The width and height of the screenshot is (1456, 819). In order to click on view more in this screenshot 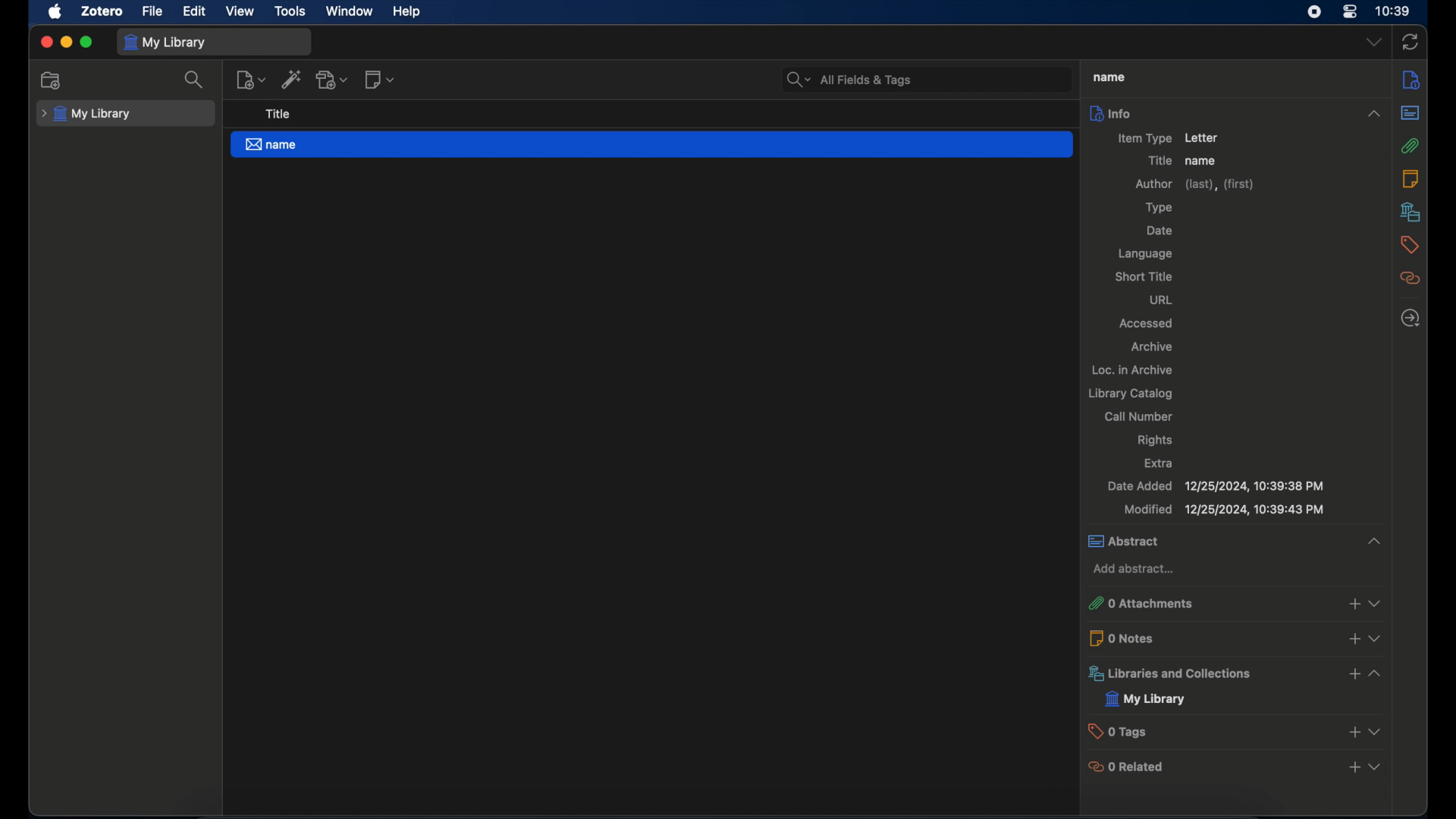, I will do `click(1375, 767)`.